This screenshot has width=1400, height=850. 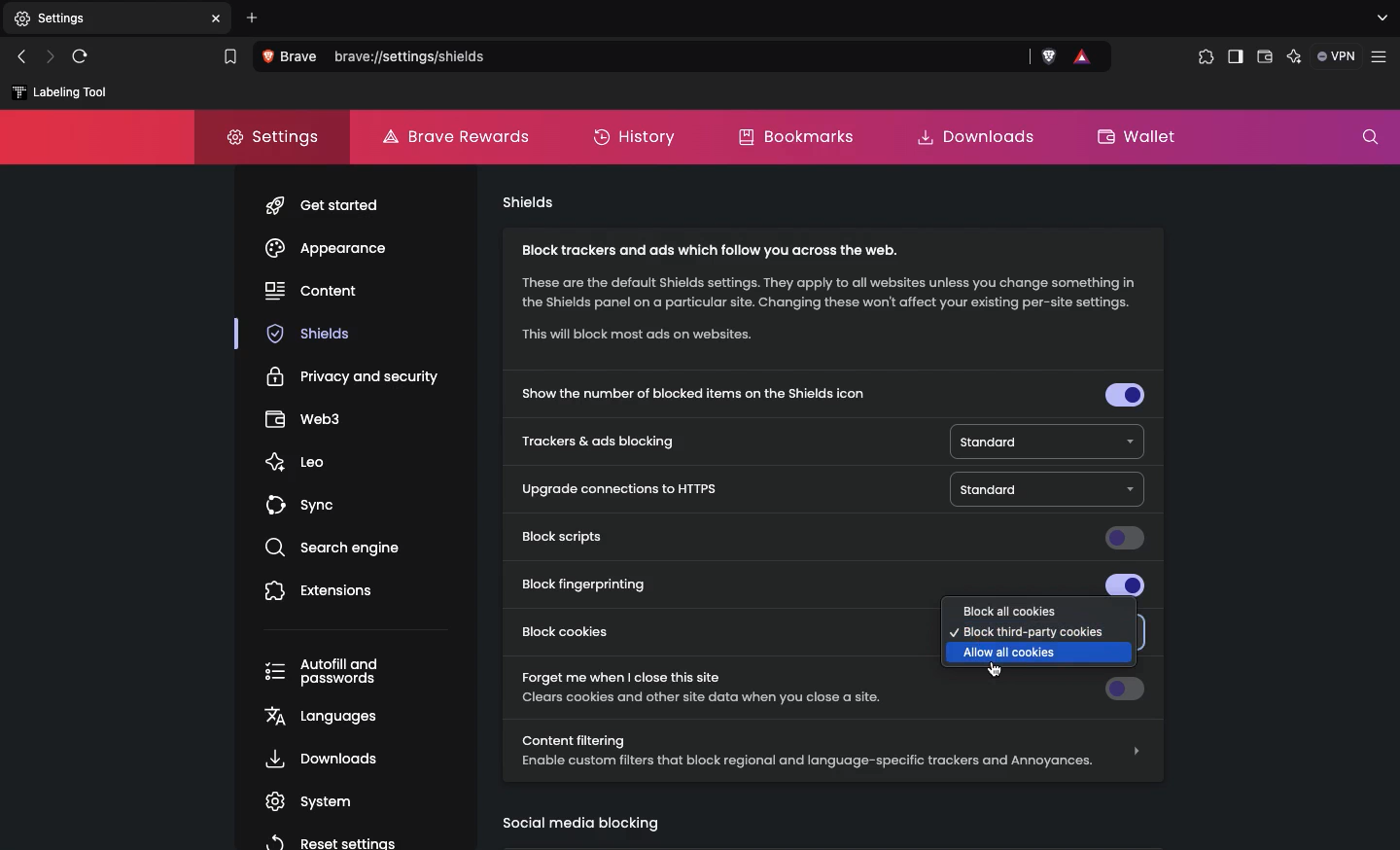 I want to click on Shields, so click(x=528, y=203).